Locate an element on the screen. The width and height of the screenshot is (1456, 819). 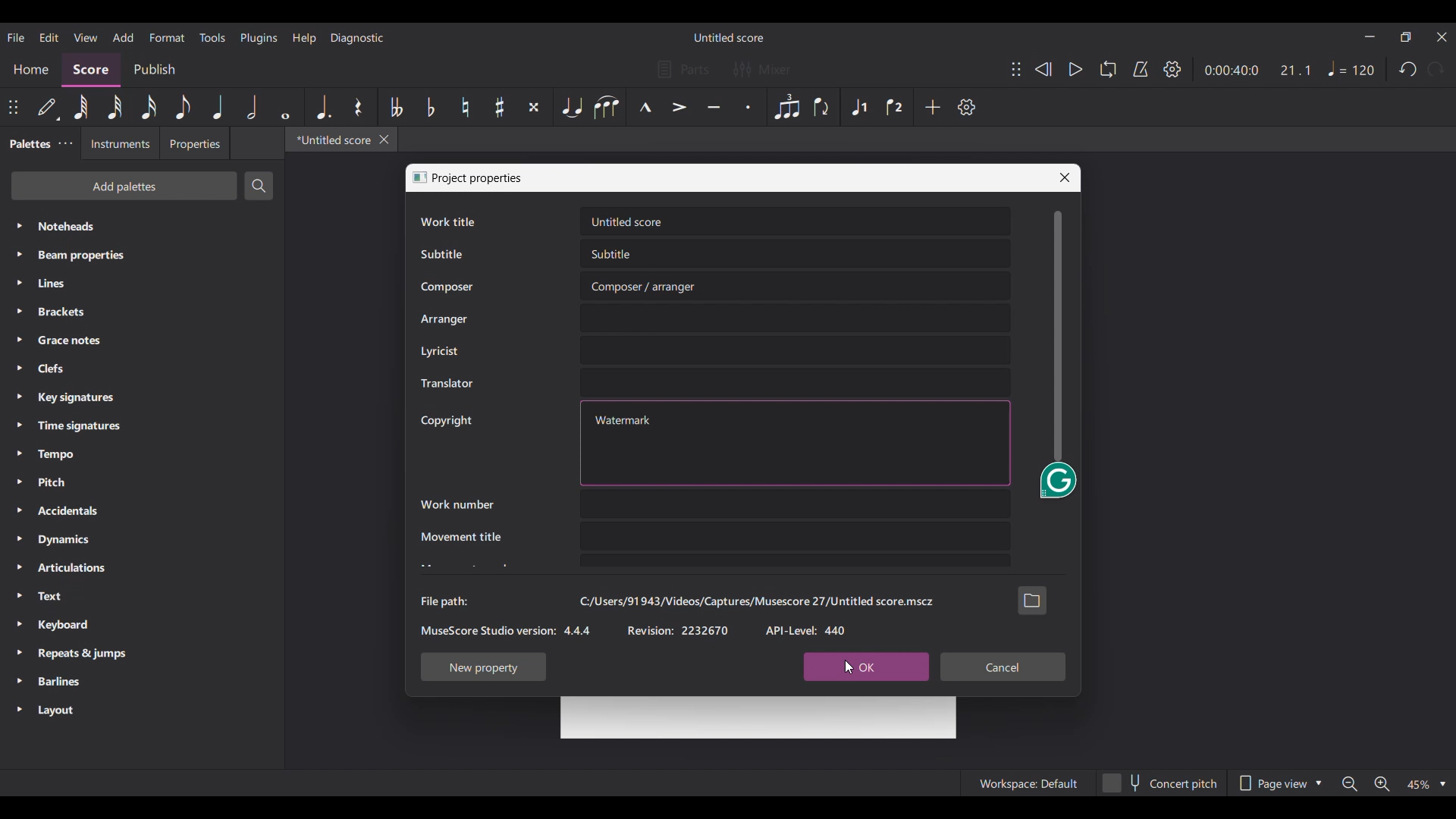
Palettes is located at coordinates (28, 143).